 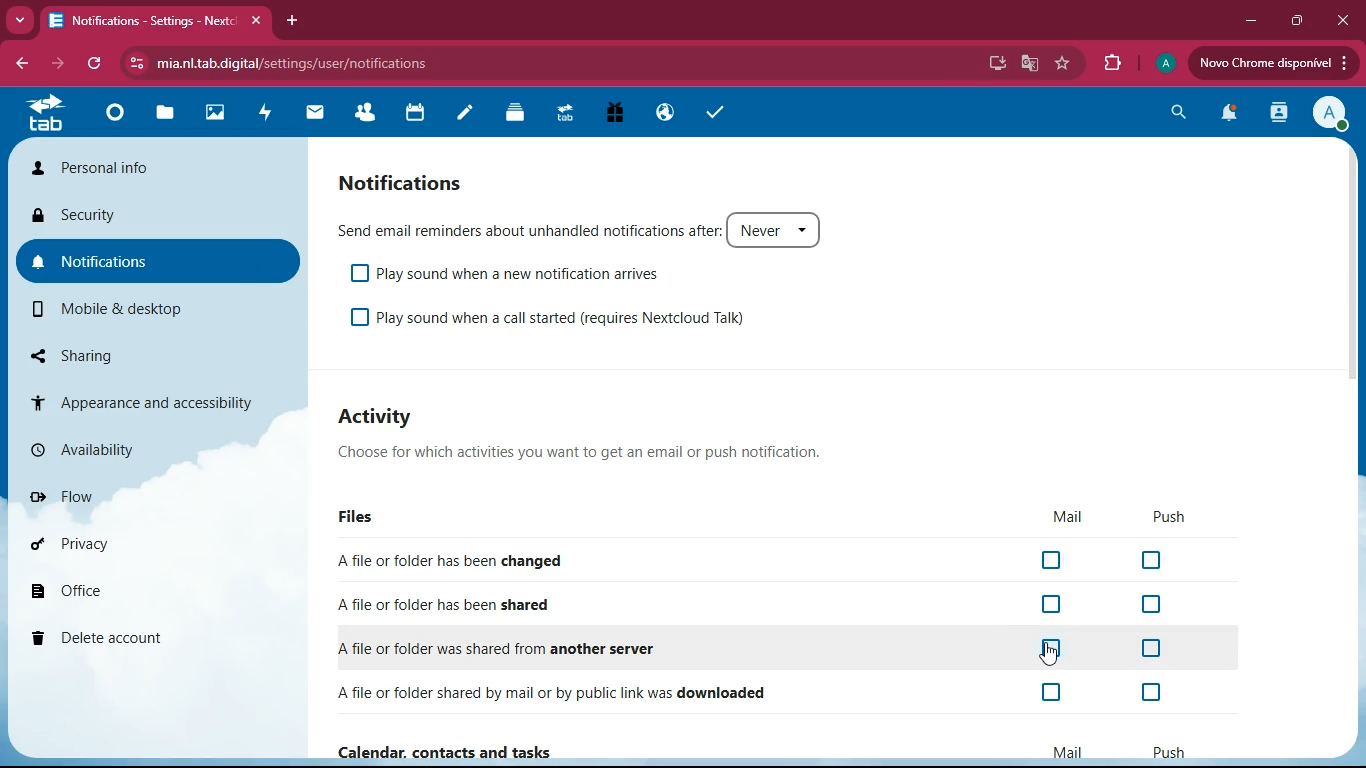 What do you see at coordinates (133, 354) in the screenshot?
I see `sharing` at bounding box center [133, 354].